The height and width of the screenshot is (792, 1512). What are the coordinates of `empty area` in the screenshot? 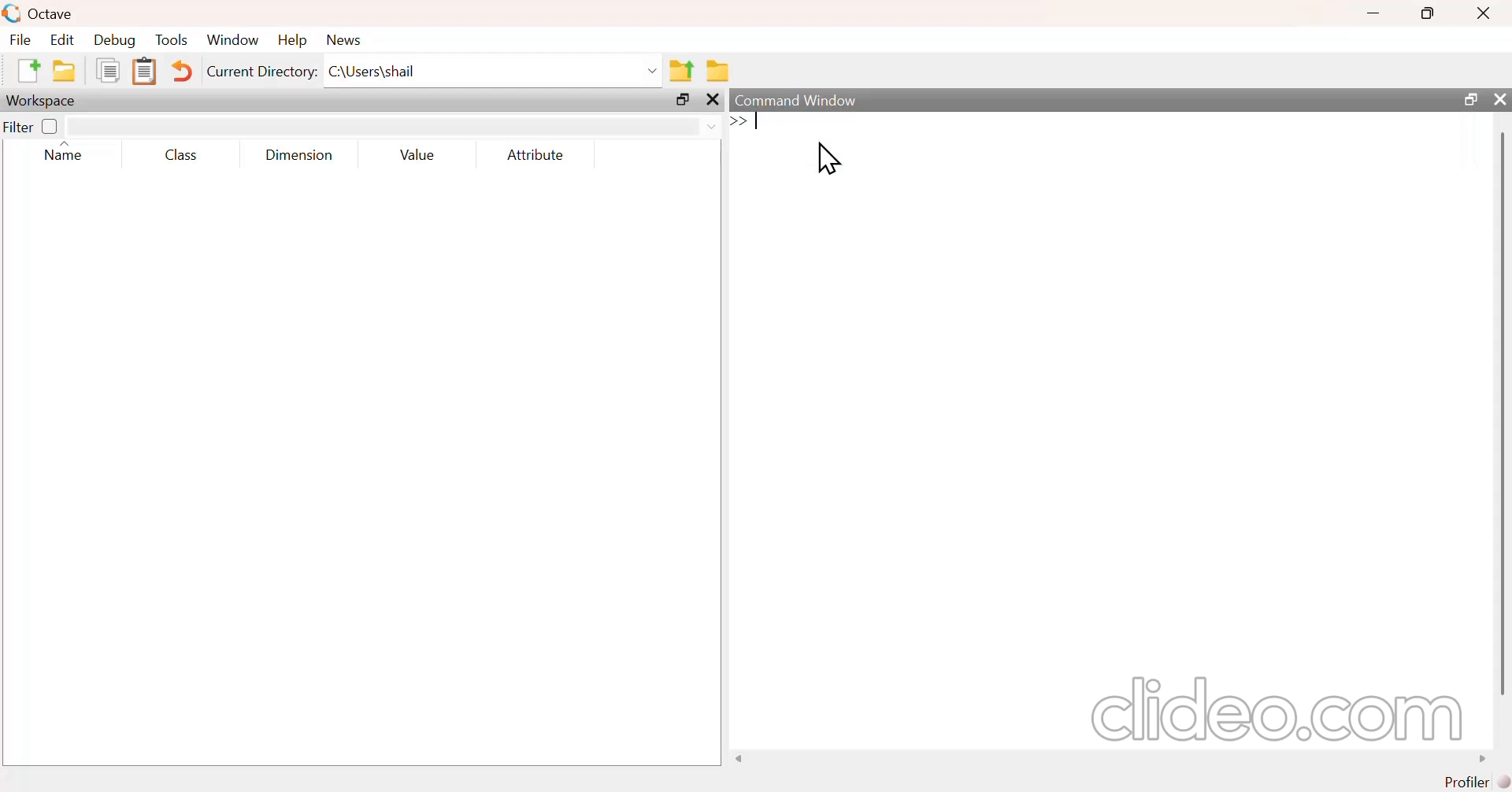 It's located at (1117, 426).